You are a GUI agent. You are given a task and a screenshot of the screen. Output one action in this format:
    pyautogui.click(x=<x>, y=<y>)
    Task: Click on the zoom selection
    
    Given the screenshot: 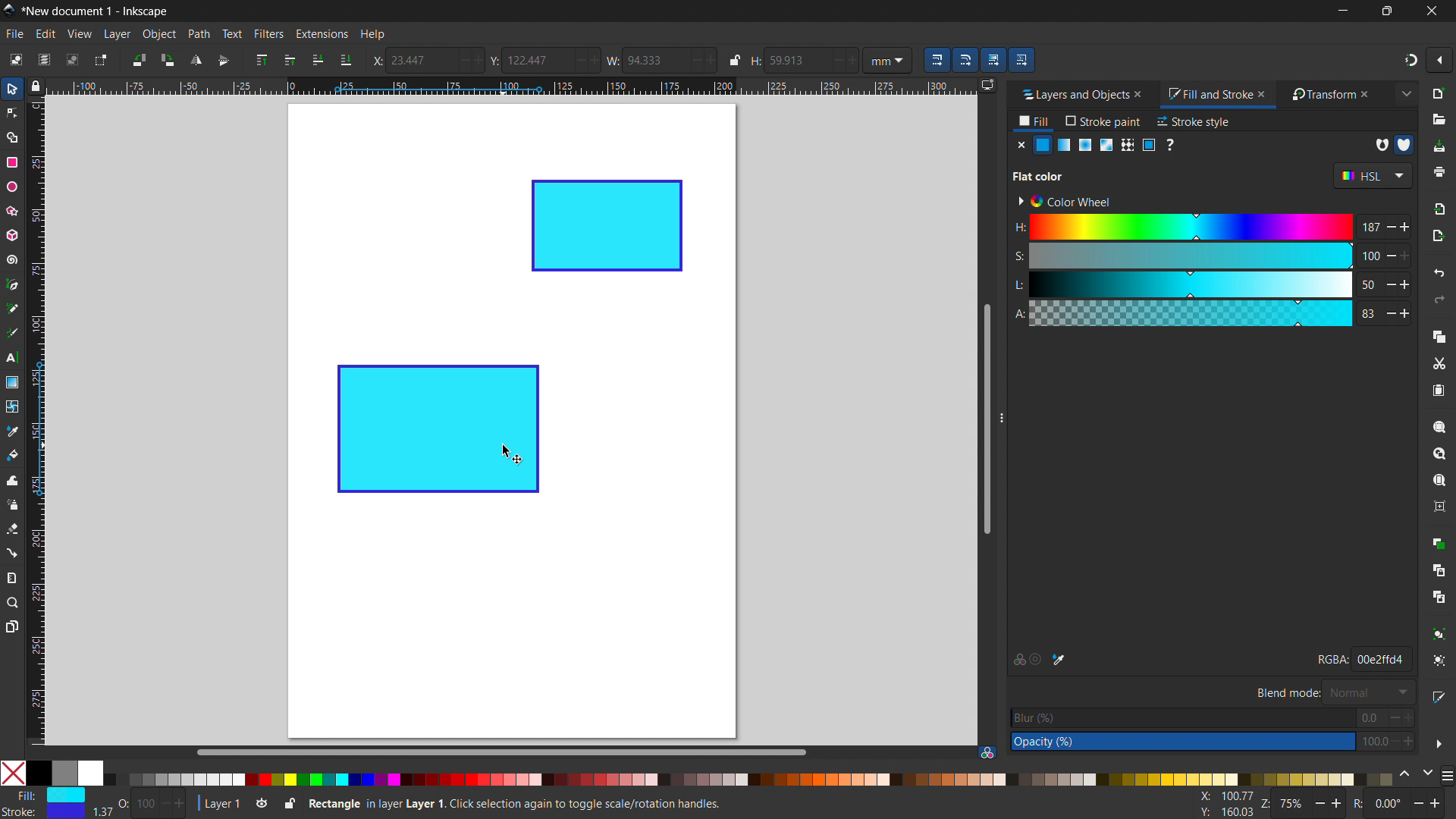 What is the action you would take?
    pyautogui.click(x=1439, y=427)
    